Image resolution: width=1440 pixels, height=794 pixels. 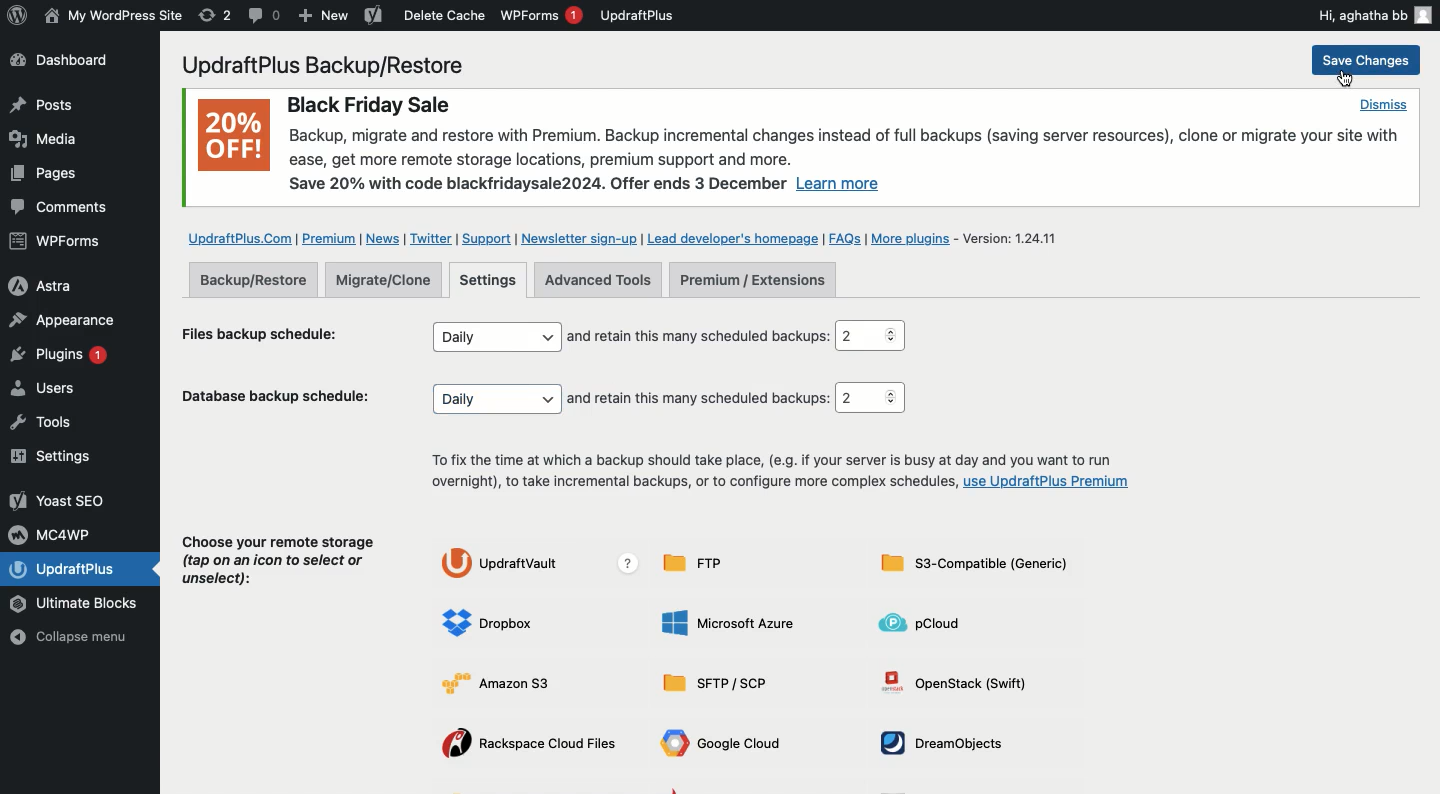 I want to click on Yoast, so click(x=372, y=17).